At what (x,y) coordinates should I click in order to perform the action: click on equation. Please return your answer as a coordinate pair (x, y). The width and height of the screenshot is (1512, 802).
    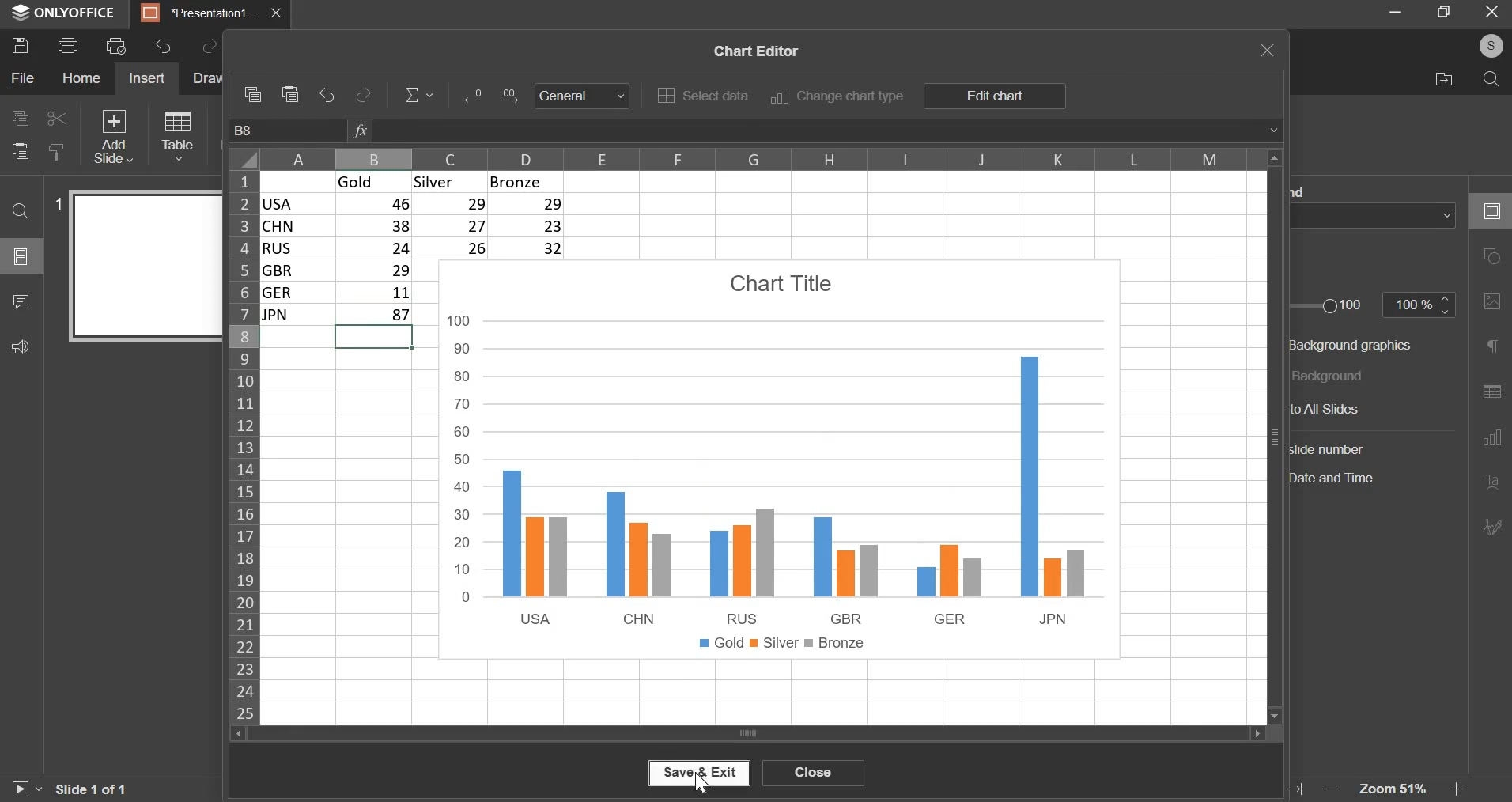
    Looking at the image, I should click on (420, 95).